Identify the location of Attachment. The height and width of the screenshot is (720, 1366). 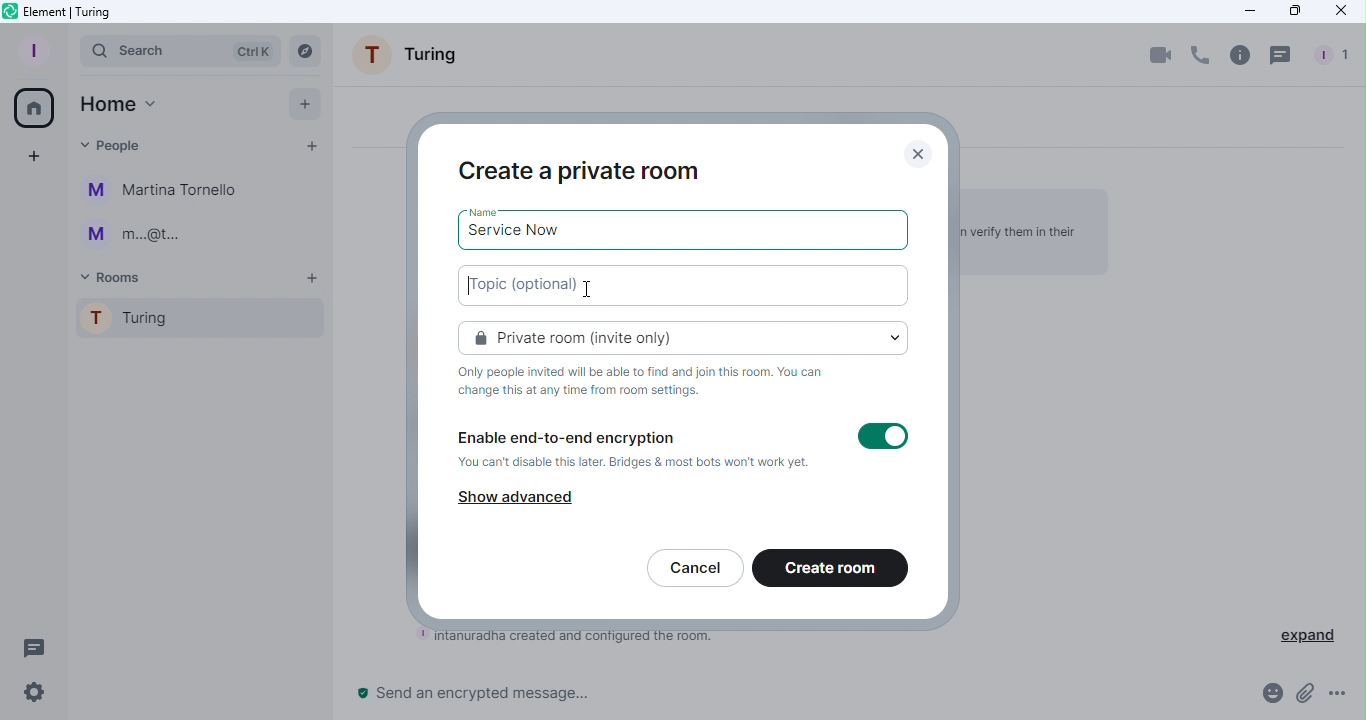
(1304, 699).